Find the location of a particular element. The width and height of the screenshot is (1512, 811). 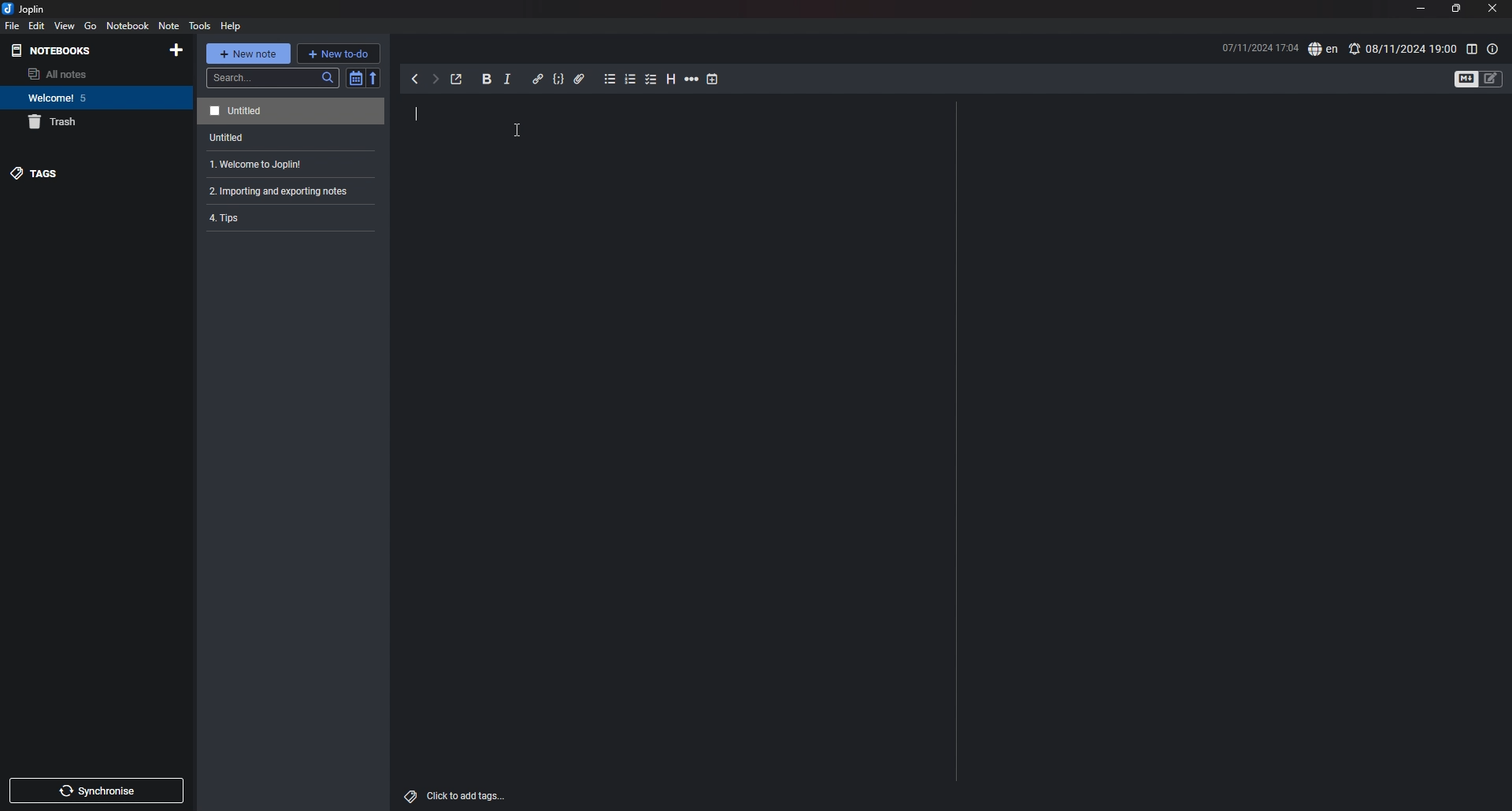

note is located at coordinates (169, 26).